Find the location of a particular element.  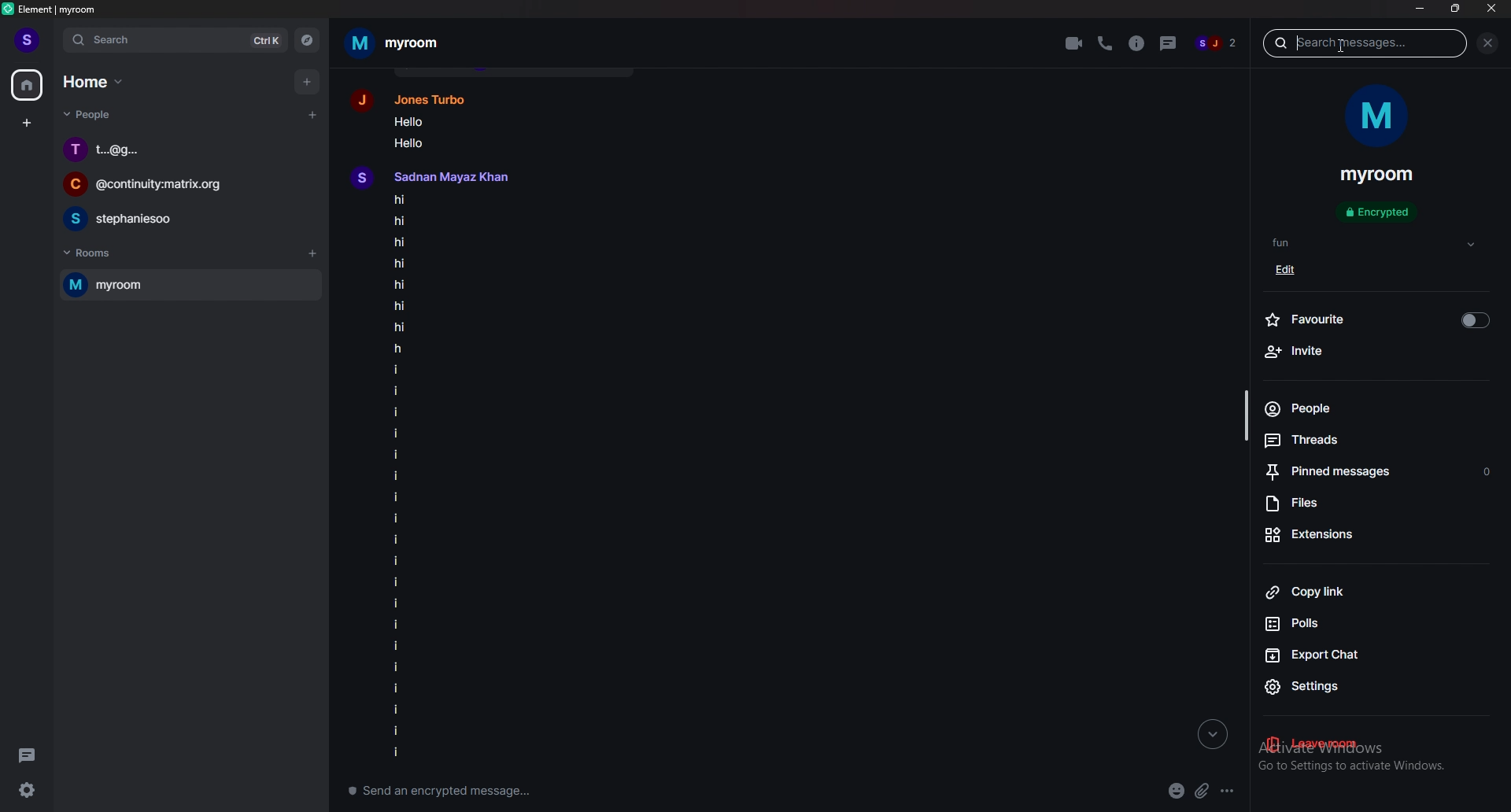

edit tag is located at coordinates (1305, 269).